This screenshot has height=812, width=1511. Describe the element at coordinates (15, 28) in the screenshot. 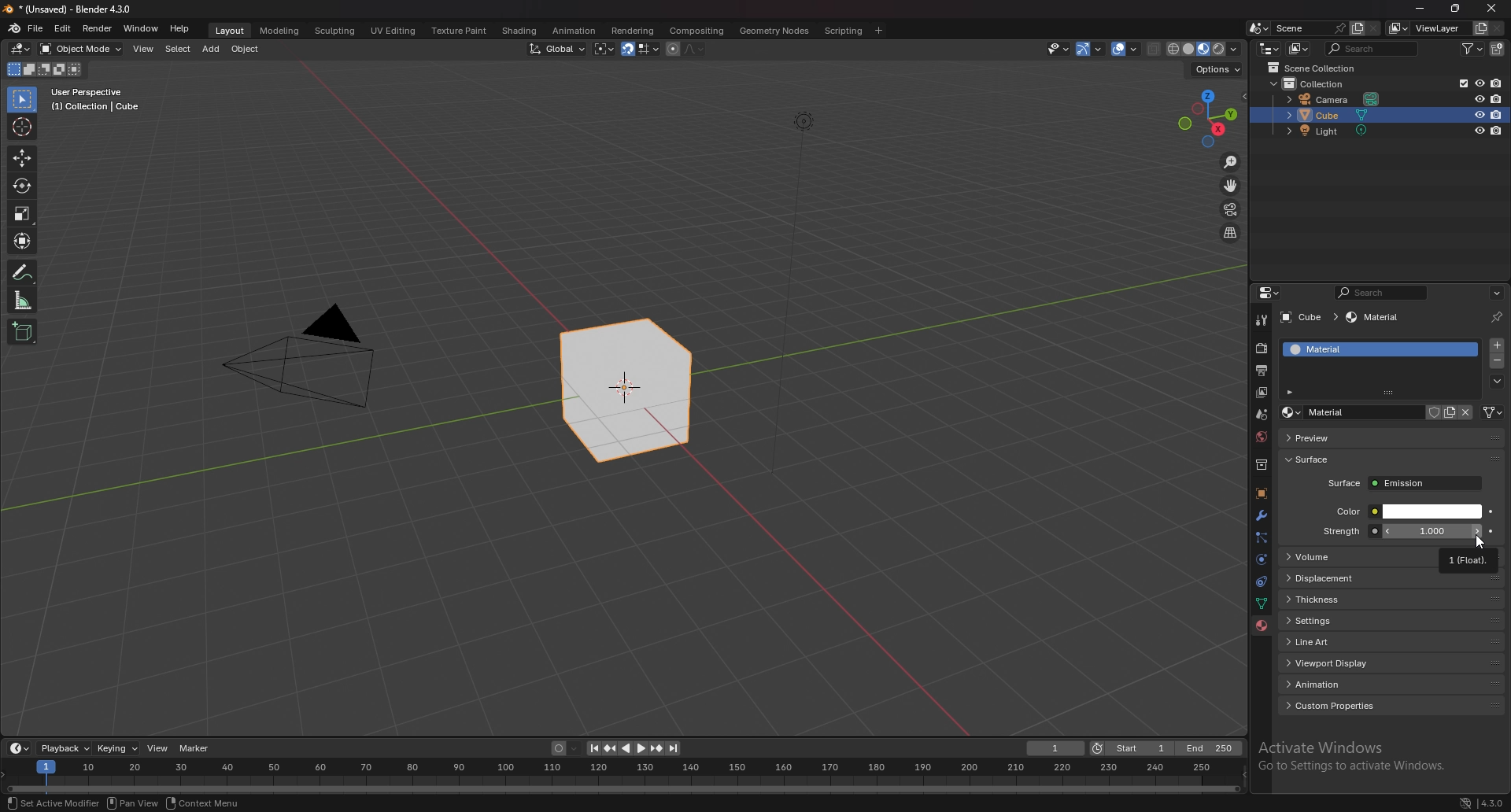

I see `blender` at that location.